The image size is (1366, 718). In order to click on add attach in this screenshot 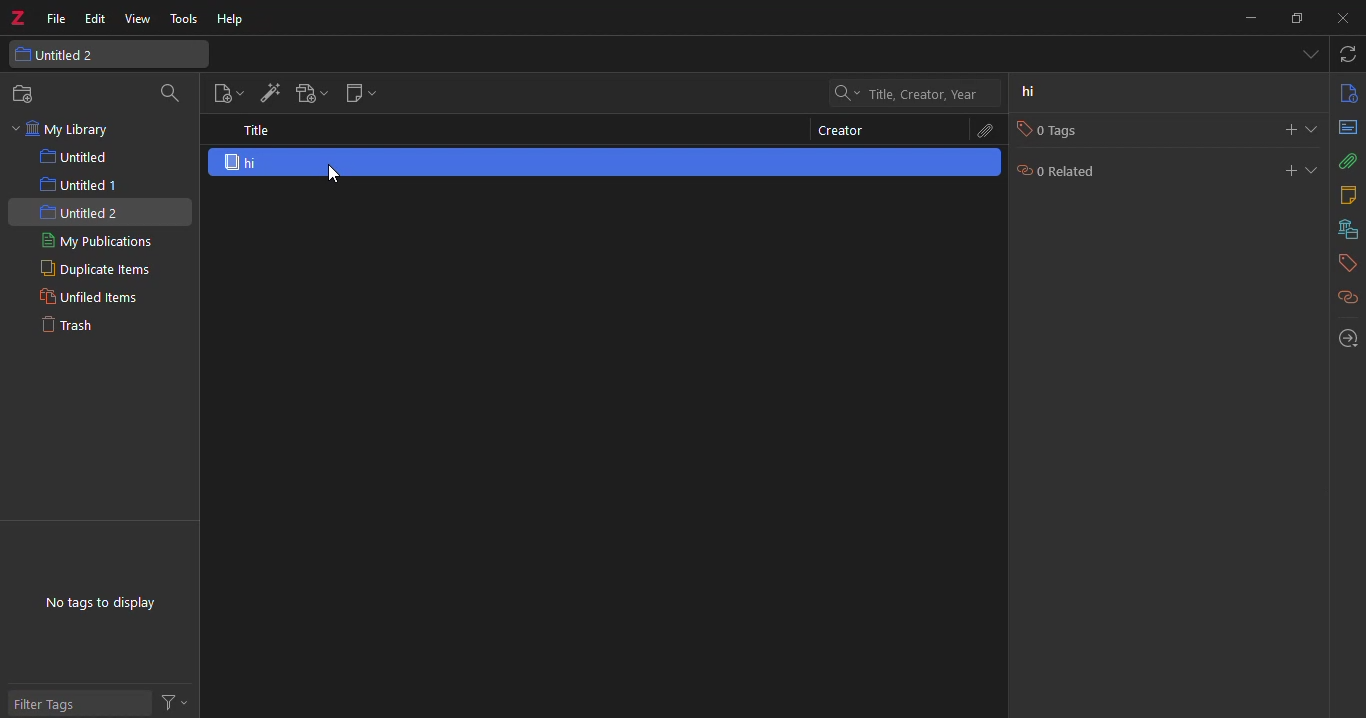, I will do `click(309, 95)`.